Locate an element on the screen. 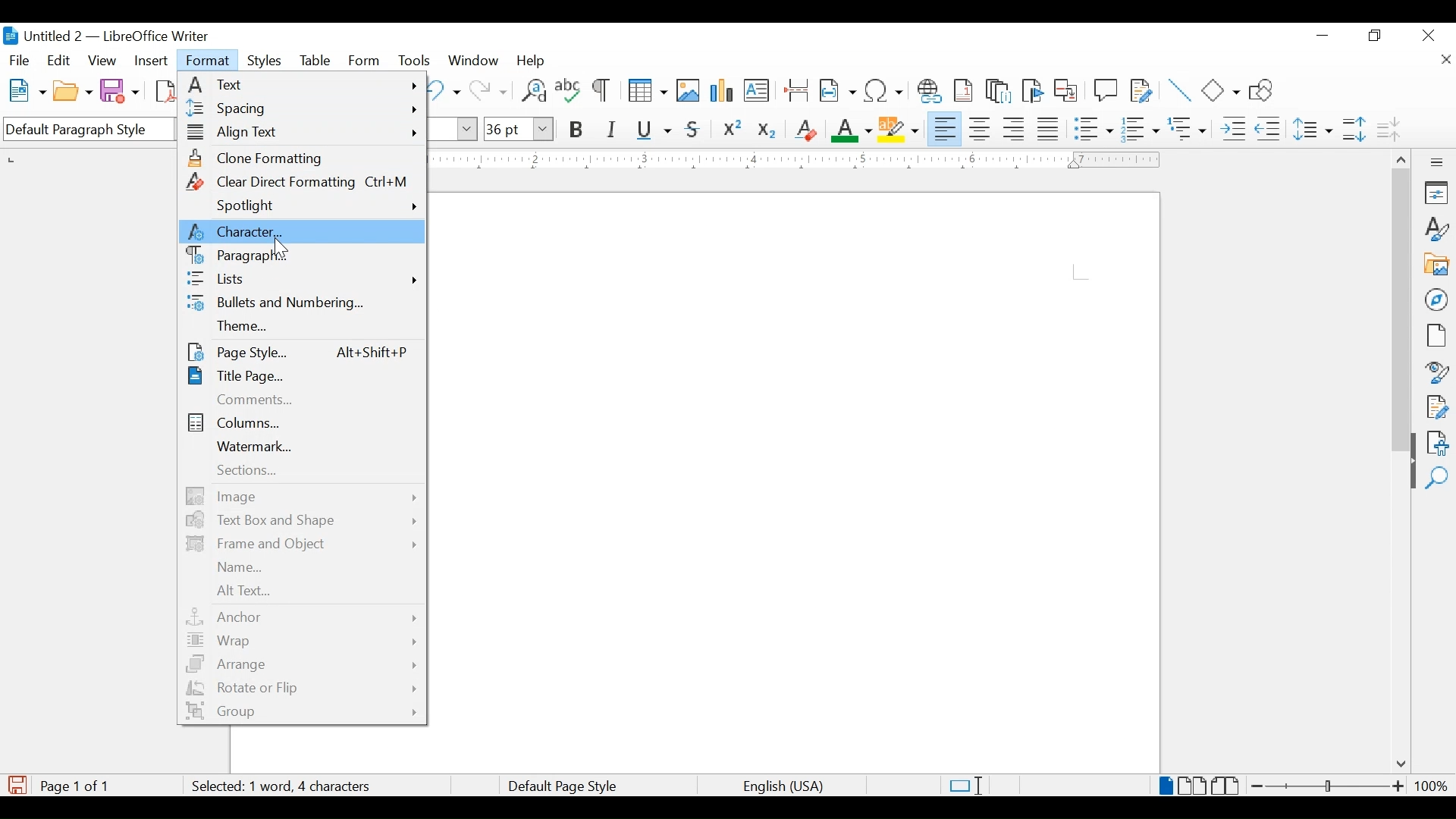  character highlighting color is located at coordinates (900, 128).